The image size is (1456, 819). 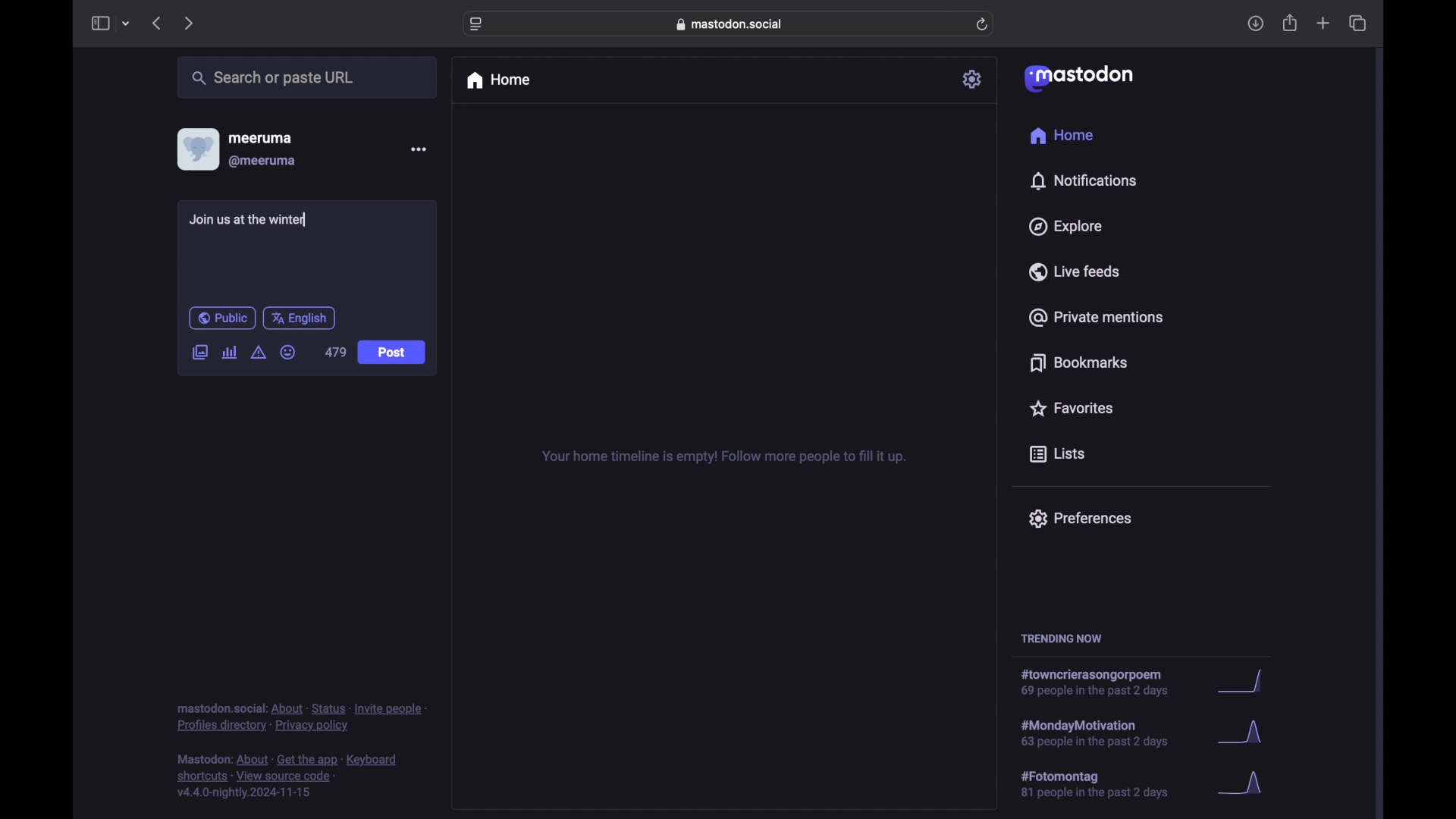 I want to click on show tab overview, so click(x=1357, y=24).